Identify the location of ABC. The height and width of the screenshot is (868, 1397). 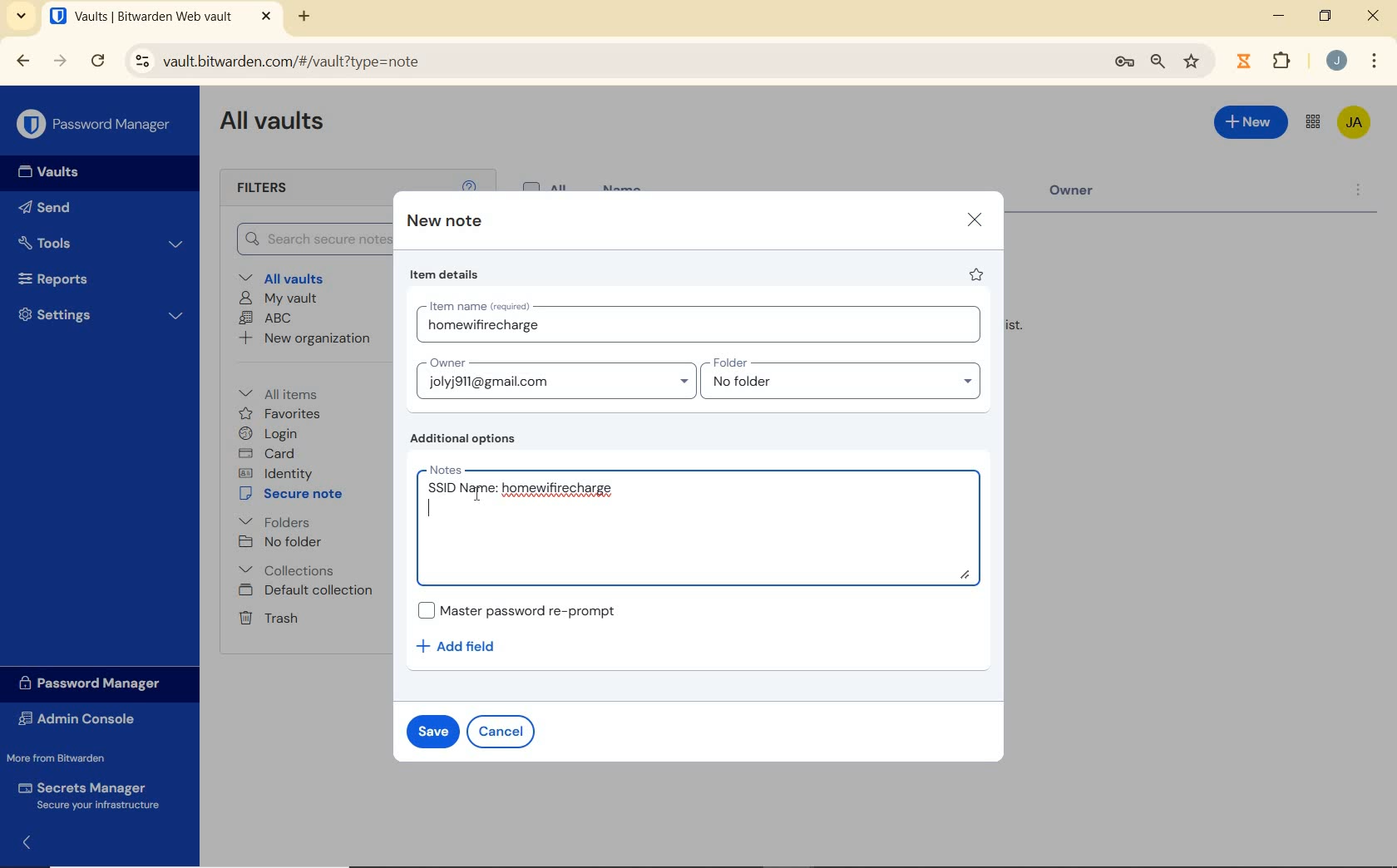
(266, 319).